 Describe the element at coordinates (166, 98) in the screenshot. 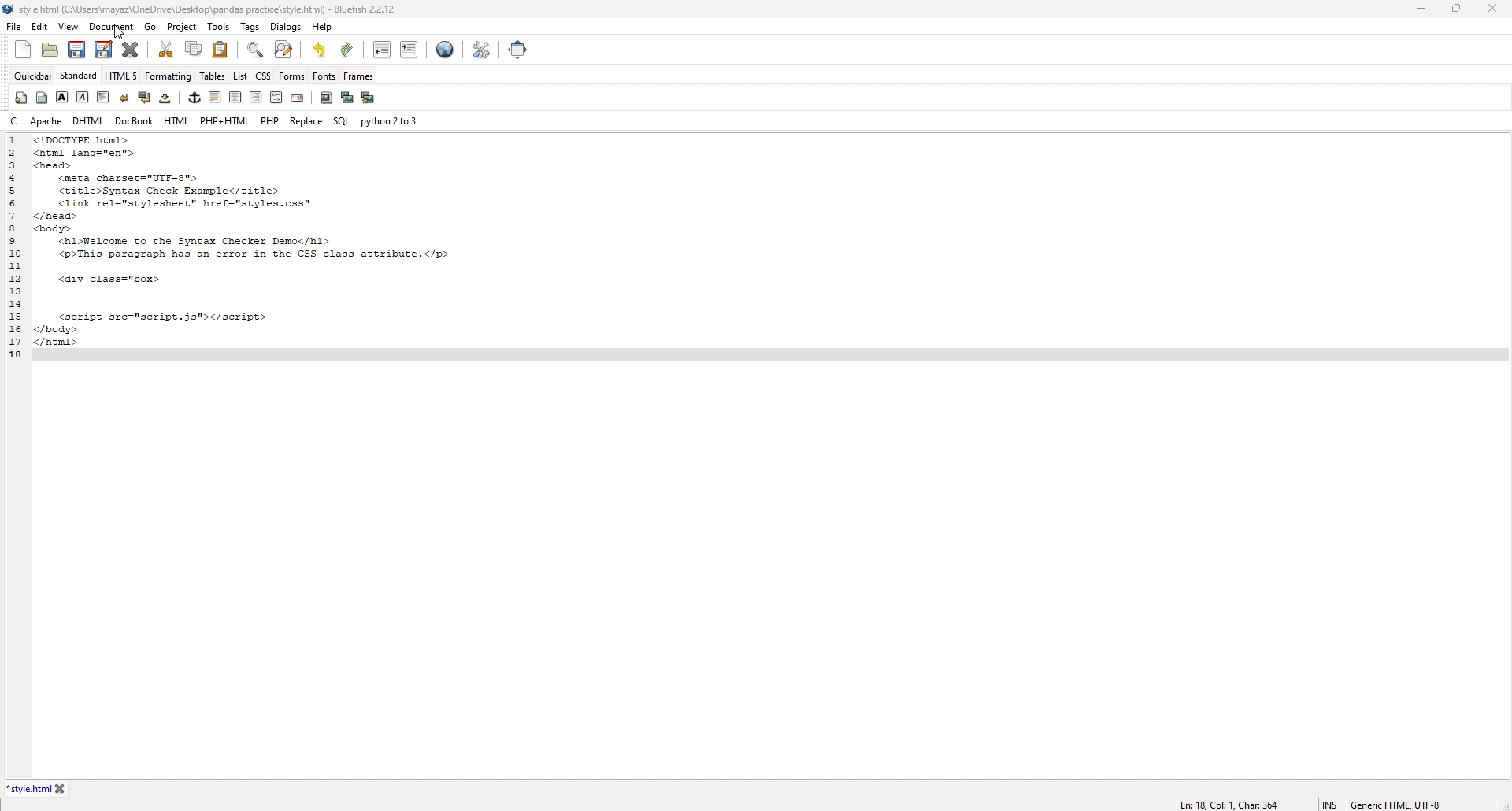

I see `non breaking space` at that location.